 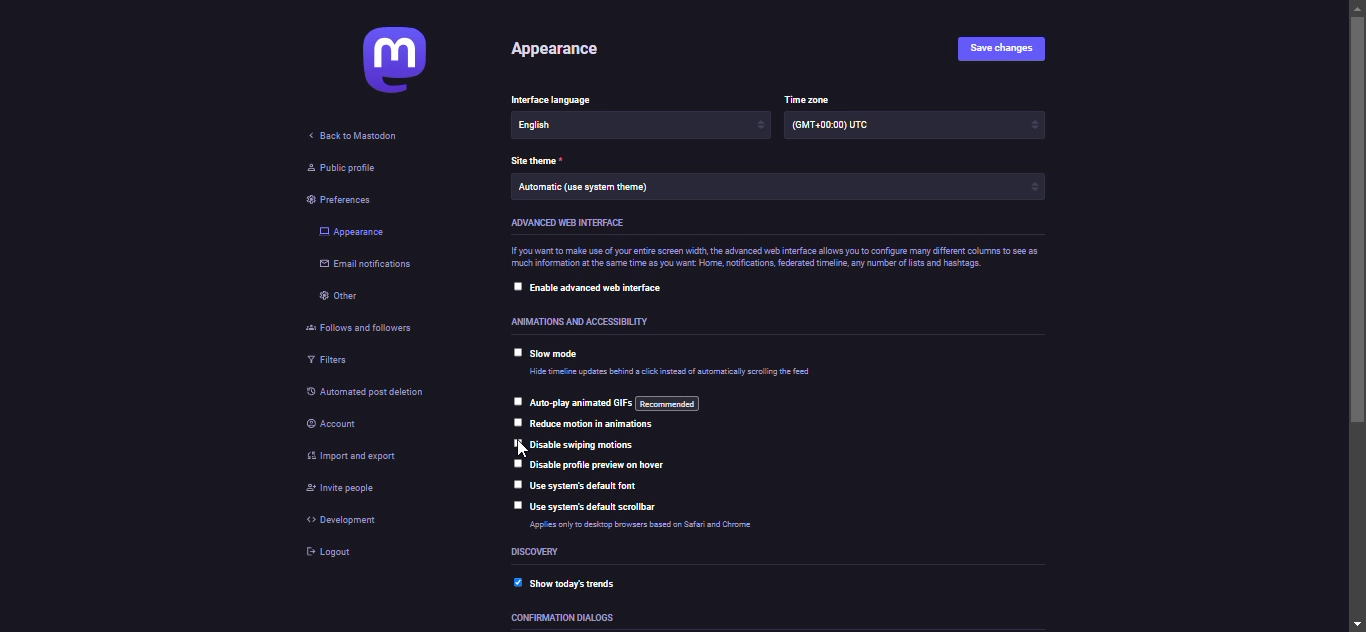 What do you see at coordinates (369, 390) in the screenshot?
I see `automated post deletion` at bounding box center [369, 390].